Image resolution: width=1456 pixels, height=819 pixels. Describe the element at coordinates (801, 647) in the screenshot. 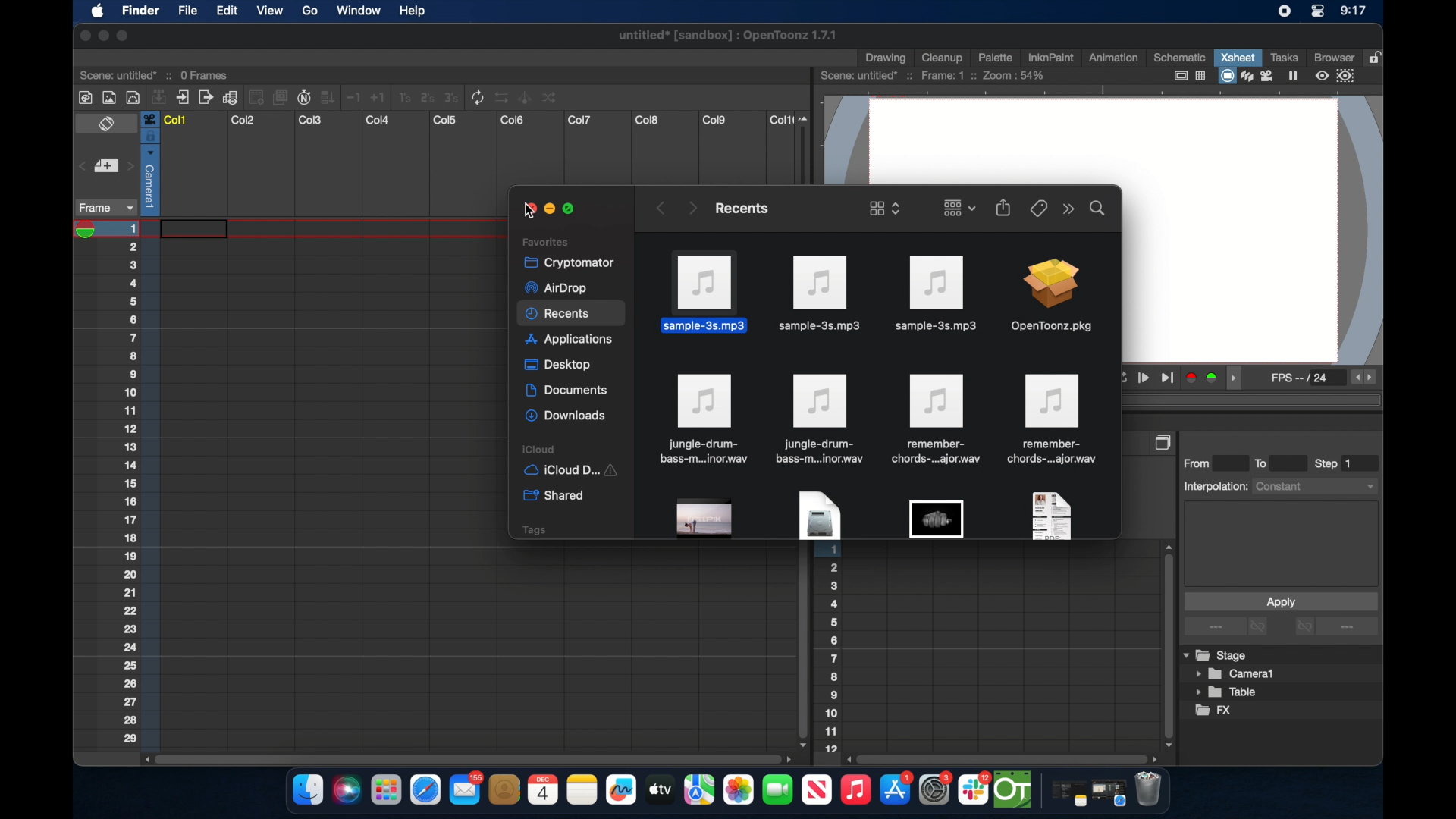

I see `scroll box` at that location.